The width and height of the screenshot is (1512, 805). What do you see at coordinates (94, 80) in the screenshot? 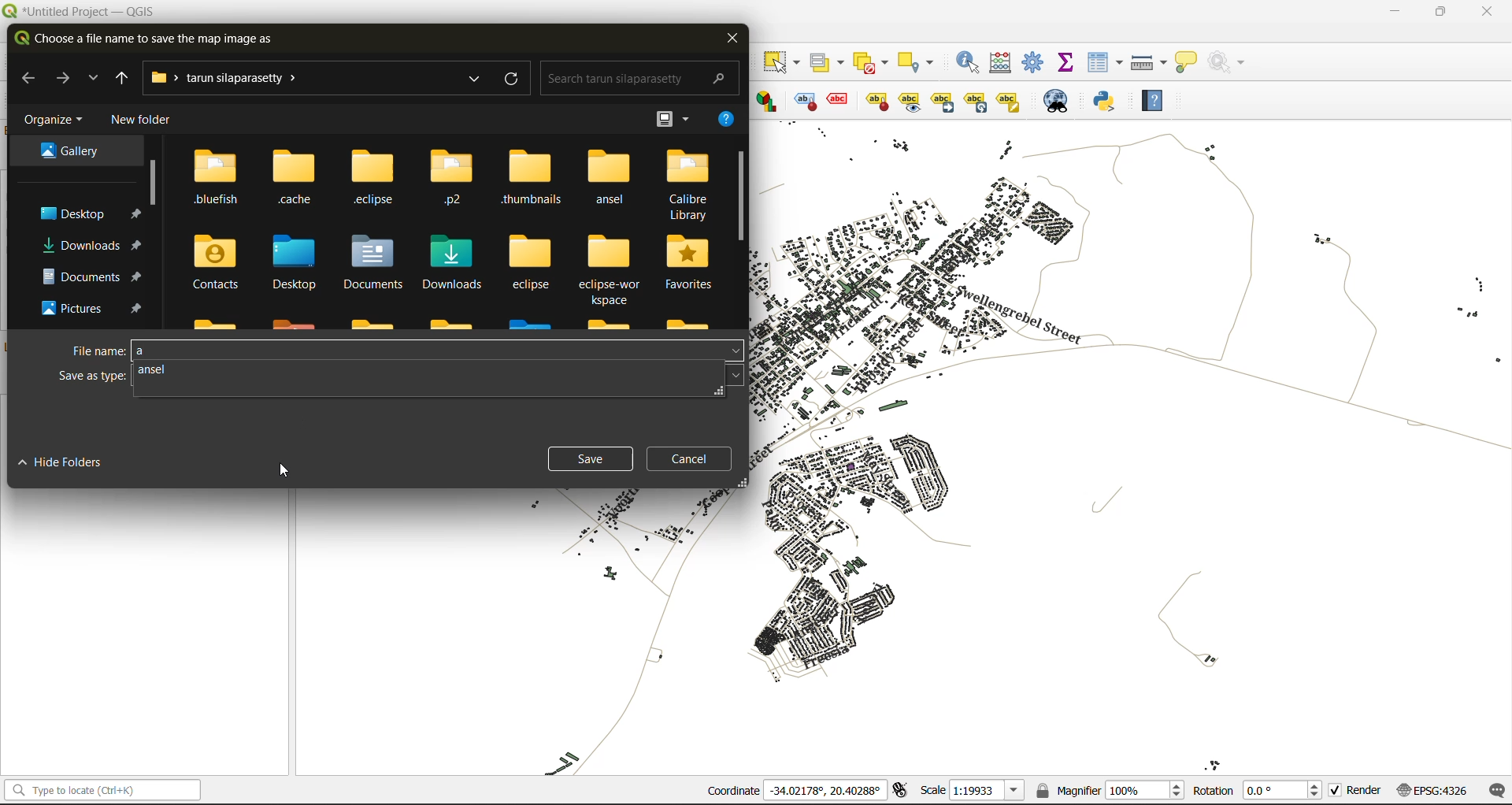
I see `explore` at bounding box center [94, 80].